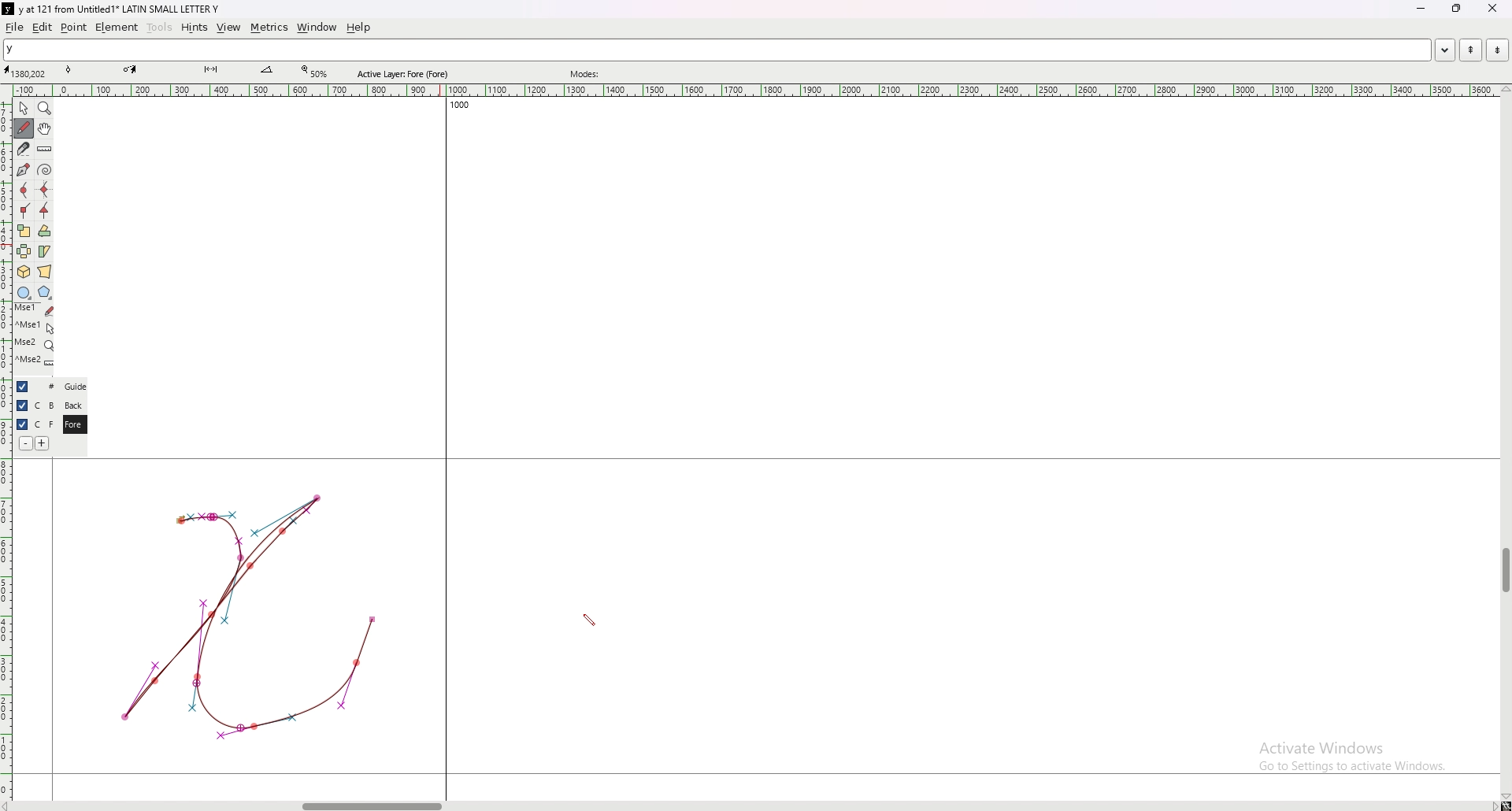 This screenshot has height=811, width=1512. I want to click on knife tool, so click(209, 70).